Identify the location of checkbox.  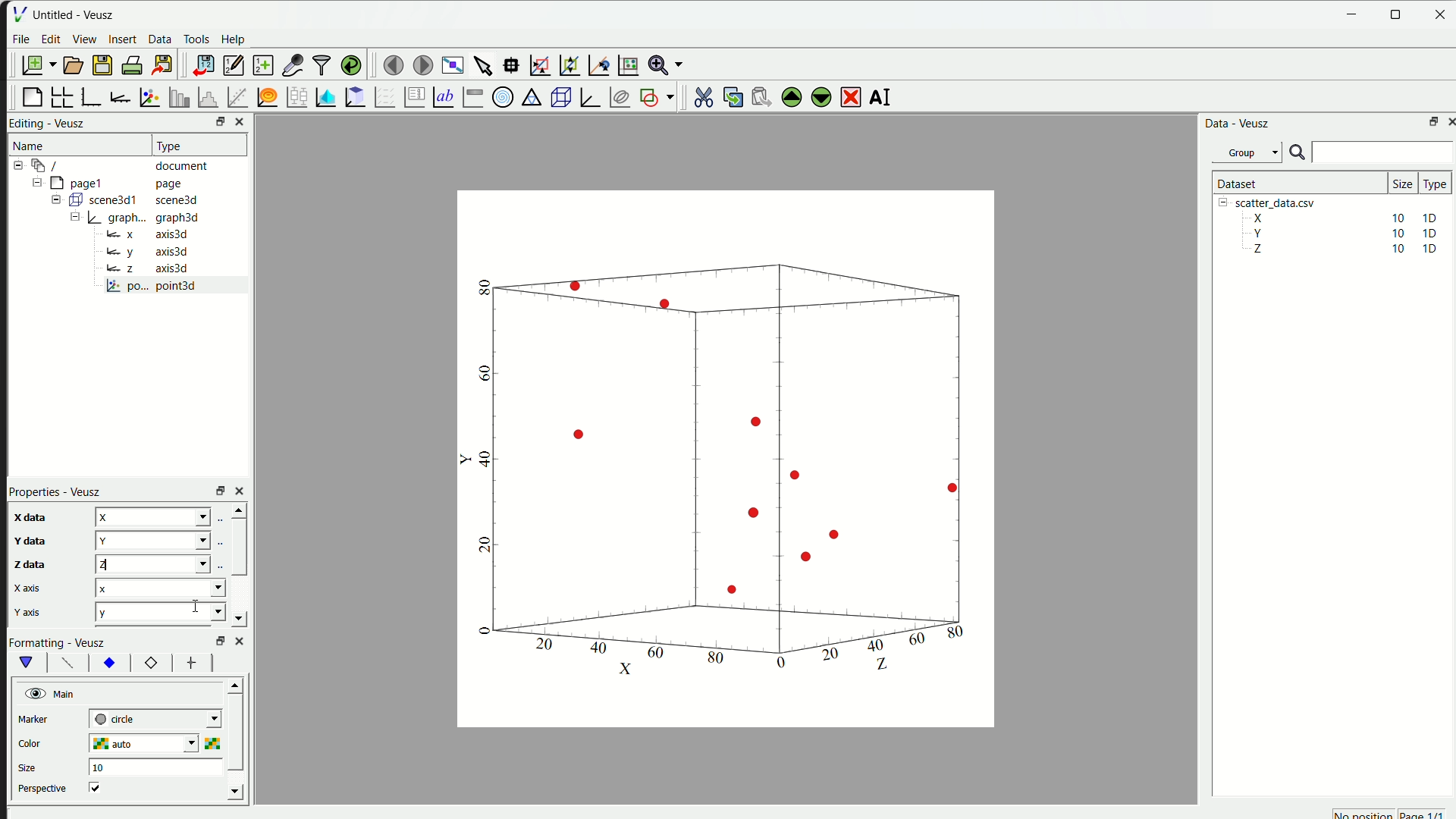
(99, 787).